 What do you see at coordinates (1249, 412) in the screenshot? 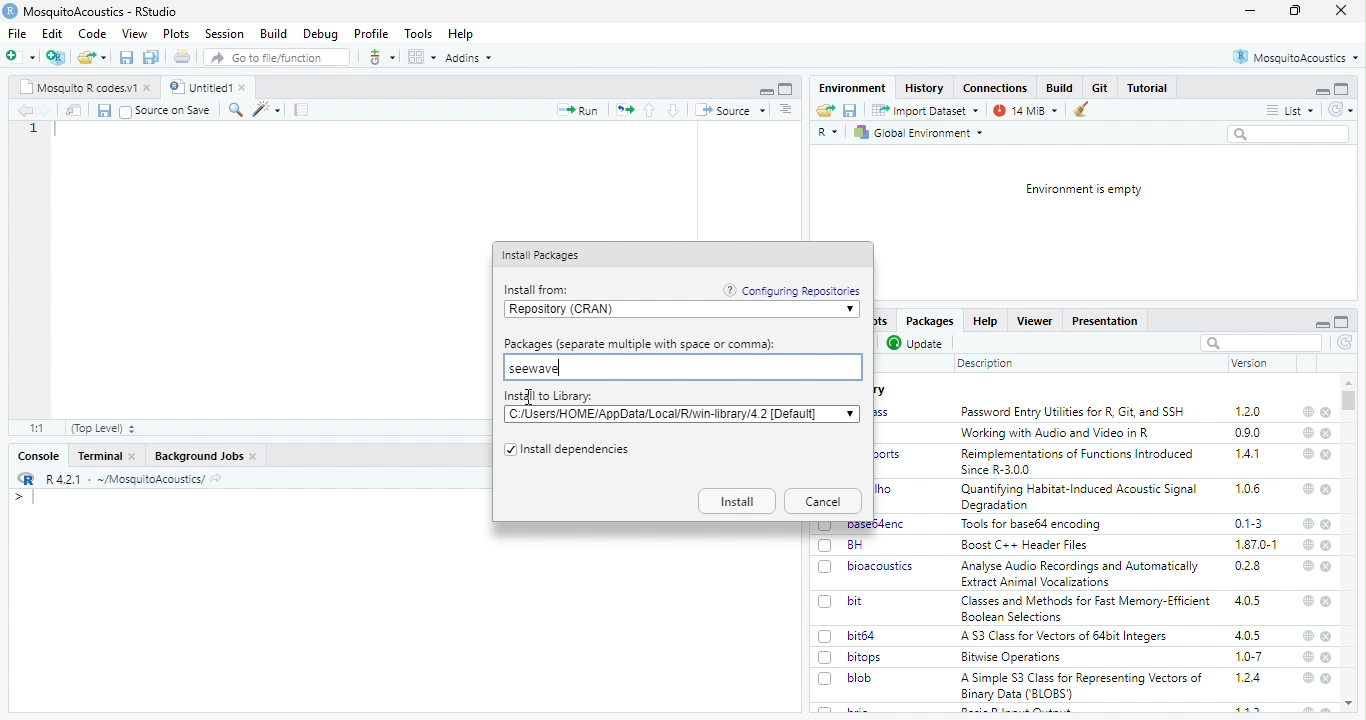
I see `120` at bounding box center [1249, 412].